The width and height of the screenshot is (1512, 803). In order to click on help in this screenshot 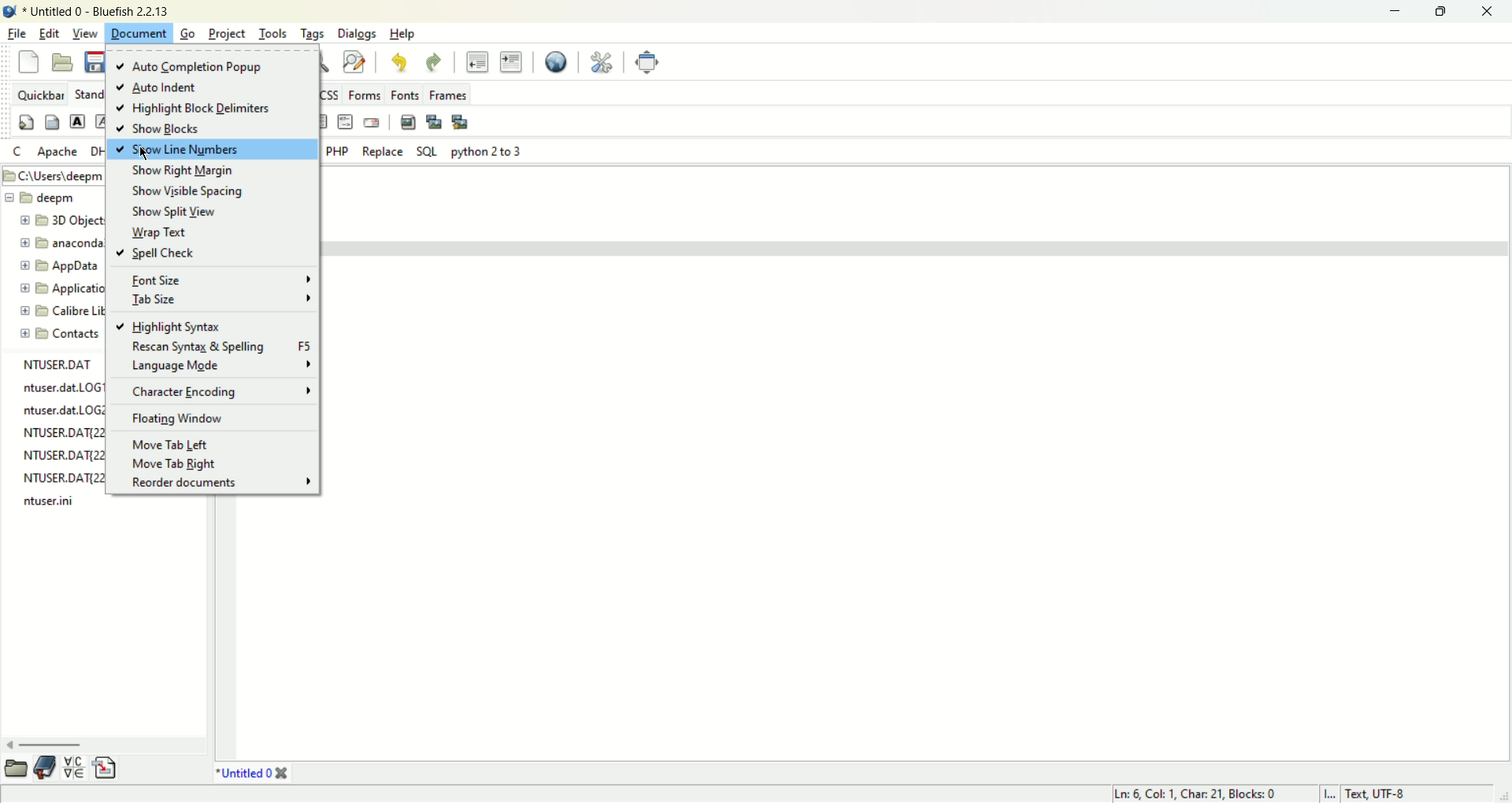, I will do `click(404, 34)`.